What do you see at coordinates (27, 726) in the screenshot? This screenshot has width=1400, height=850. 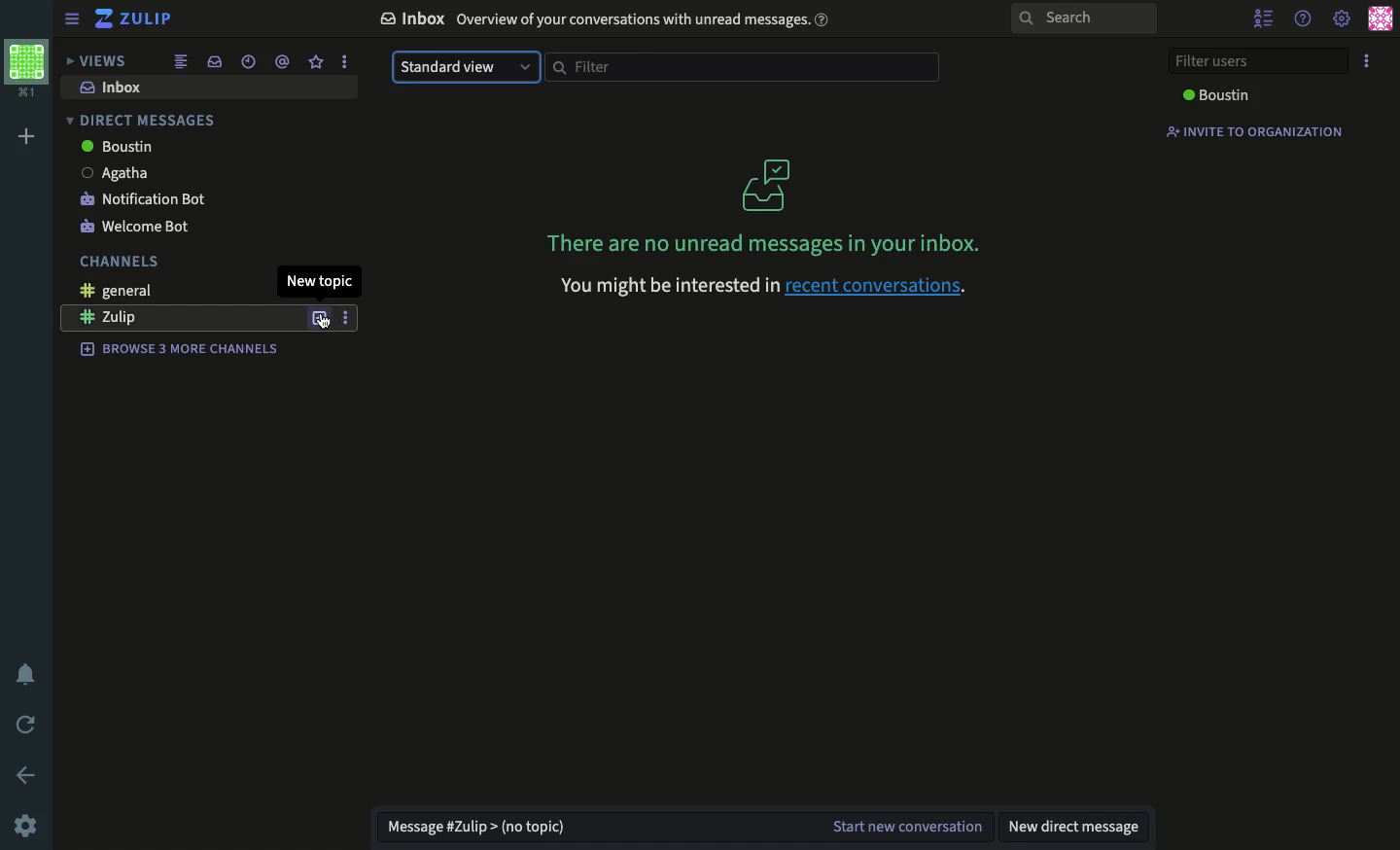 I see `refresh` at bounding box center [27, 726].